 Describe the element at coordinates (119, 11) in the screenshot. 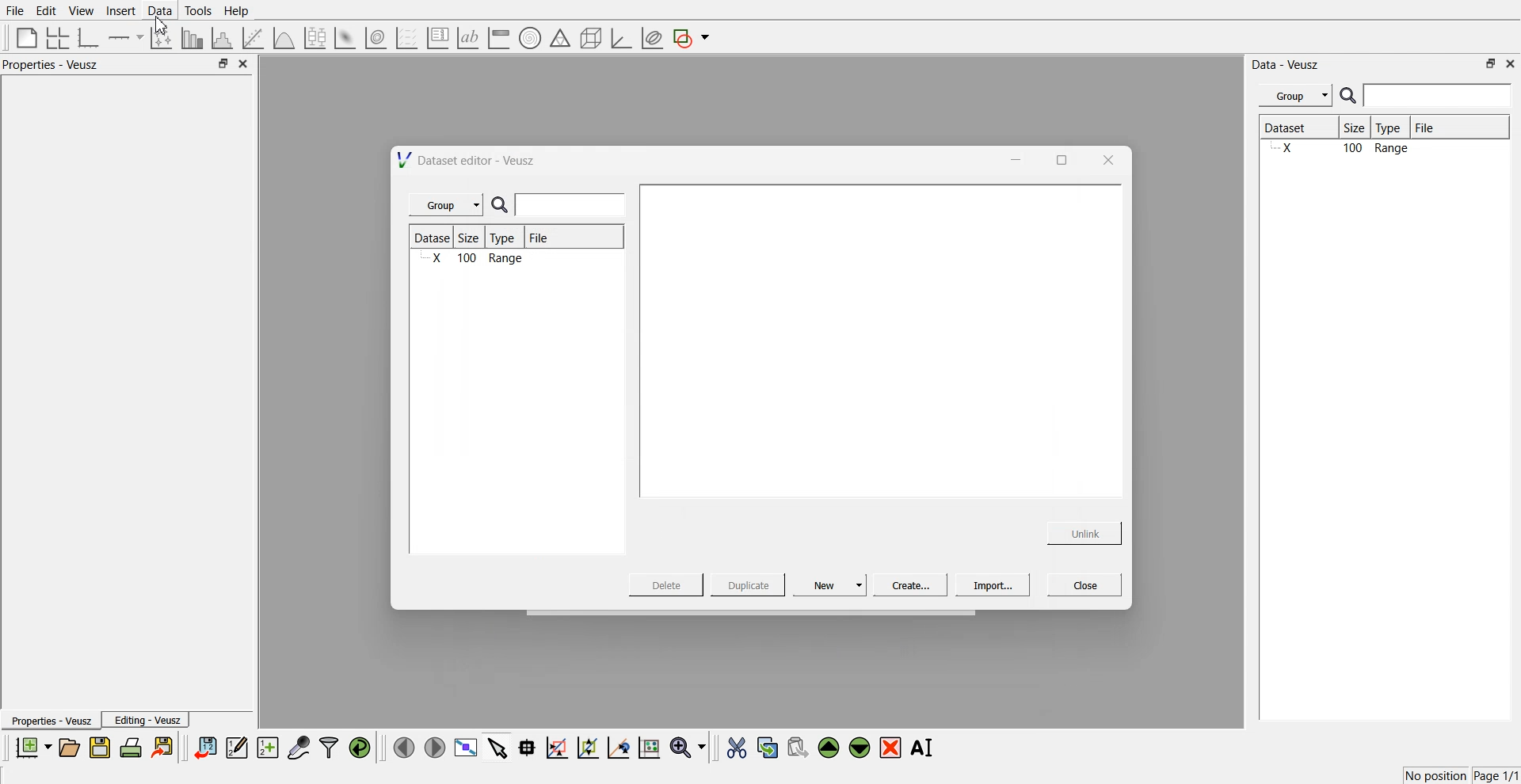

I see `Insert` at that location.